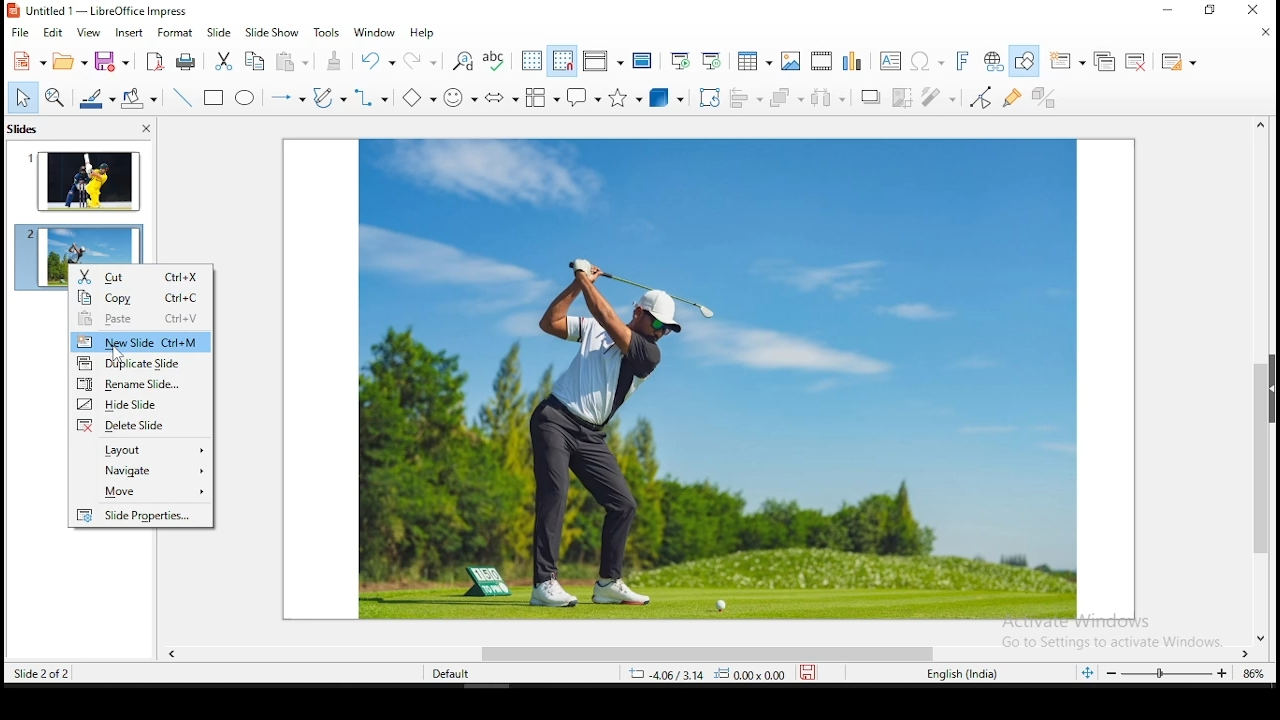 The image size is (1280, 720). Describe the element at coordinates (21, 97) in the screenshot. I see `select` at that location.